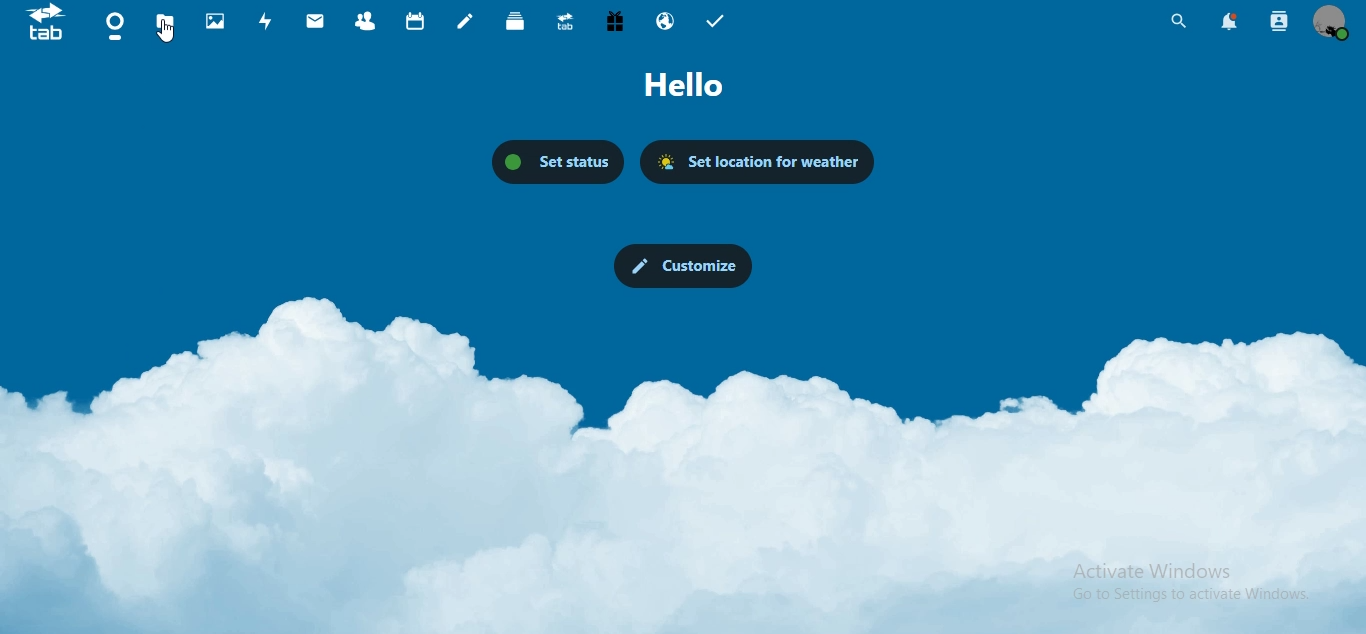 This screenshot has height=634, width=1366. Describe the element at coordinates (217, 21) in the screenshot. I see `photos` at that location.